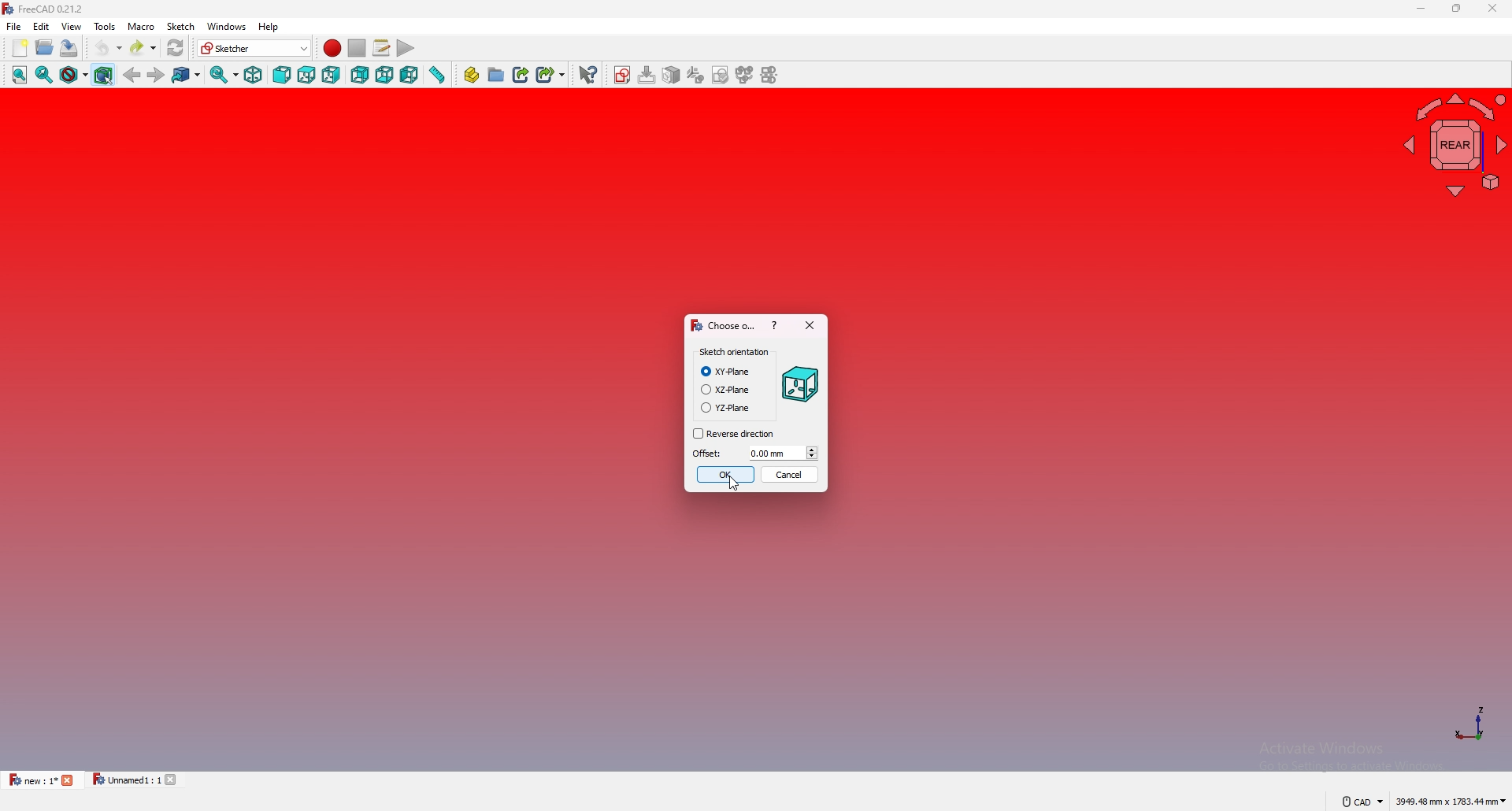 This screenshot has height=811, width=1512. What do you see at coordinates (19, 75) in the screenshot?
I see `fit all` at bounding box center [19, 75].